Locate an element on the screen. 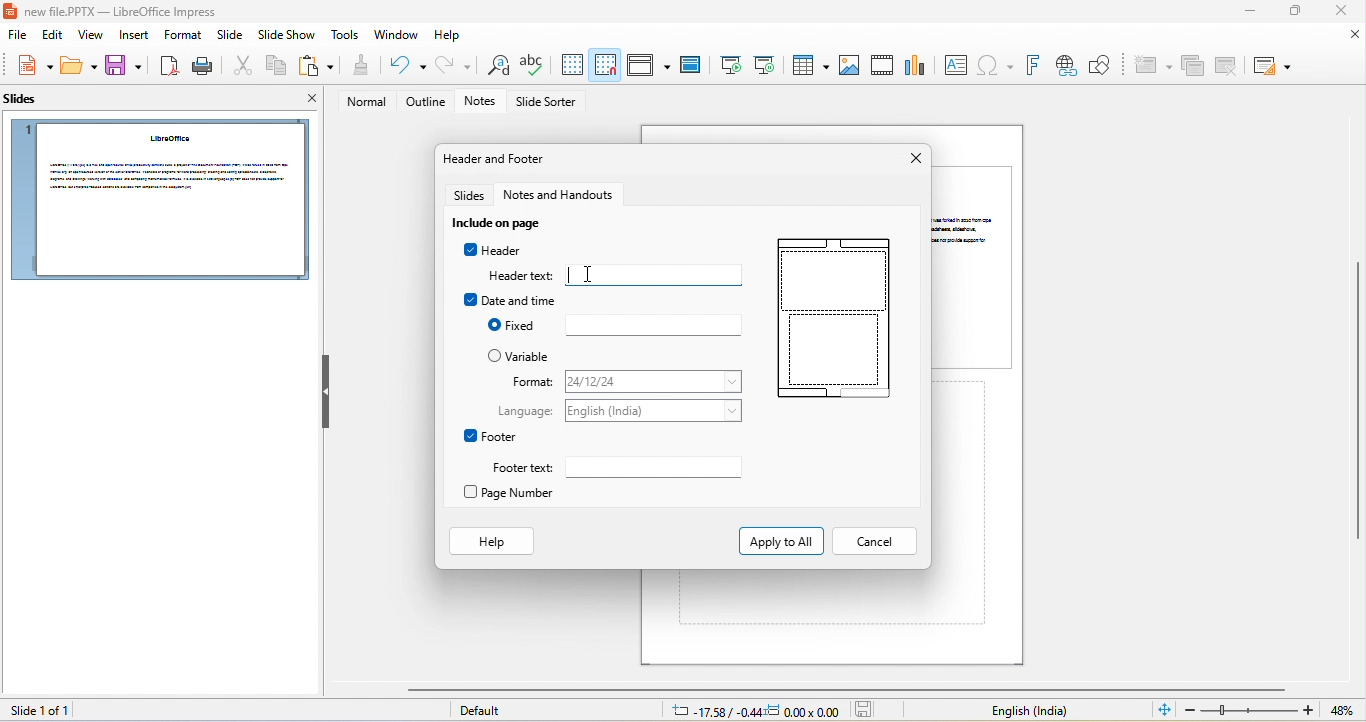 Image resolution: width=1366 pixels, height=722 pixels. find and replace is located at coordinates (494, 67).